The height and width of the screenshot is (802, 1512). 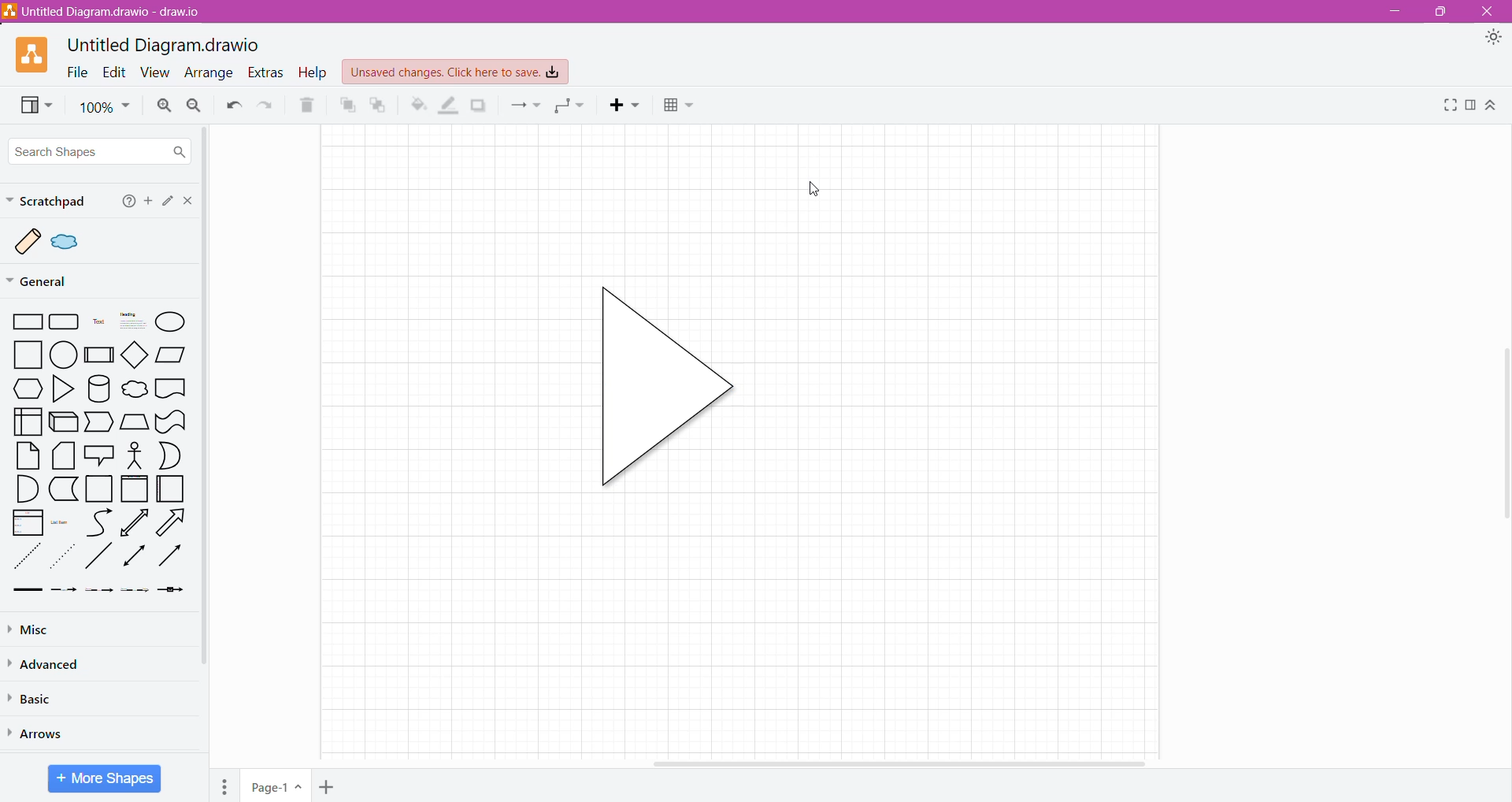 I want to click on Vertical Scroll Bar, so click(x=208, y=396).